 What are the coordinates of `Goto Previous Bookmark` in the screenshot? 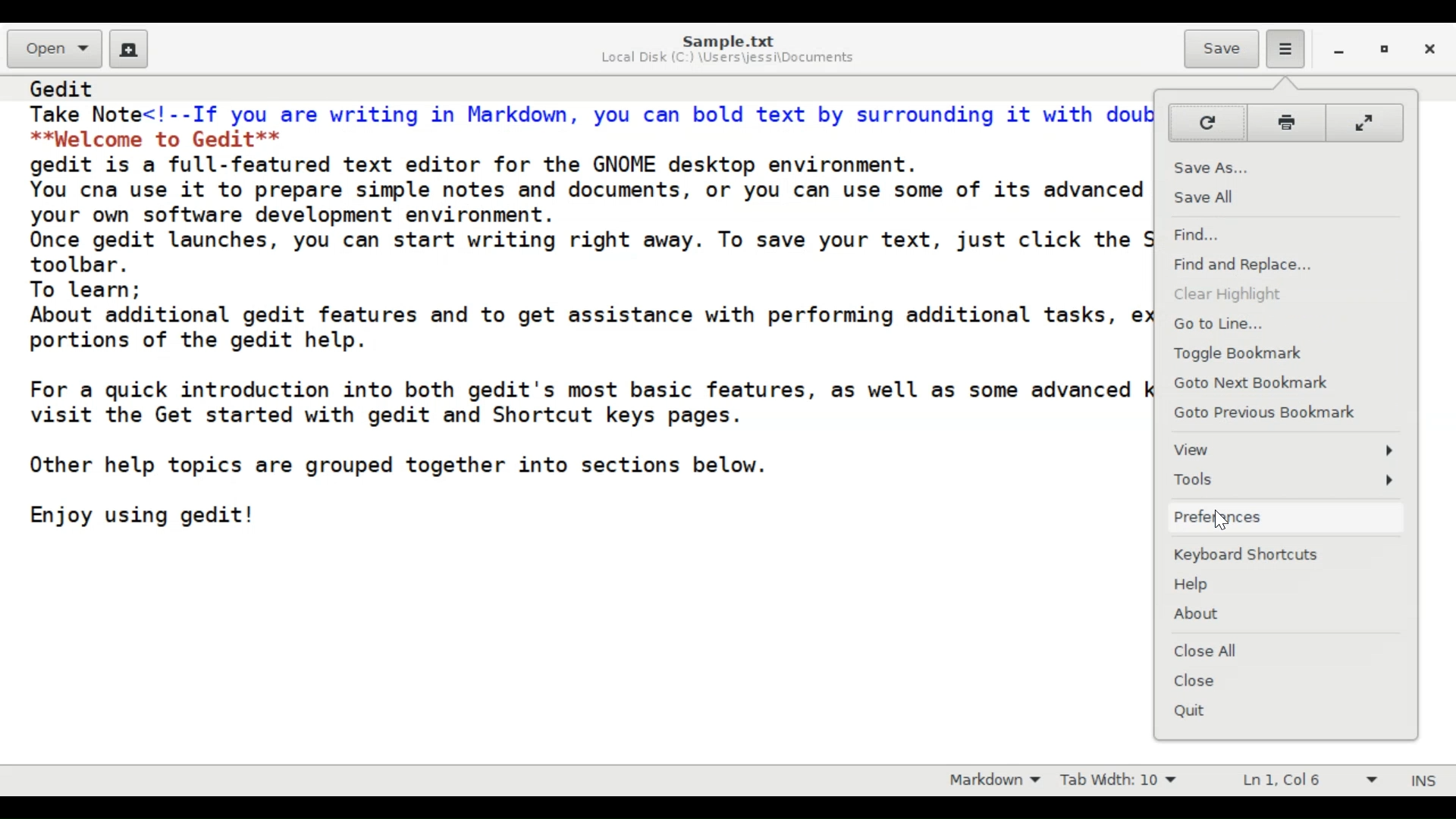 It's located at (1289, 412).